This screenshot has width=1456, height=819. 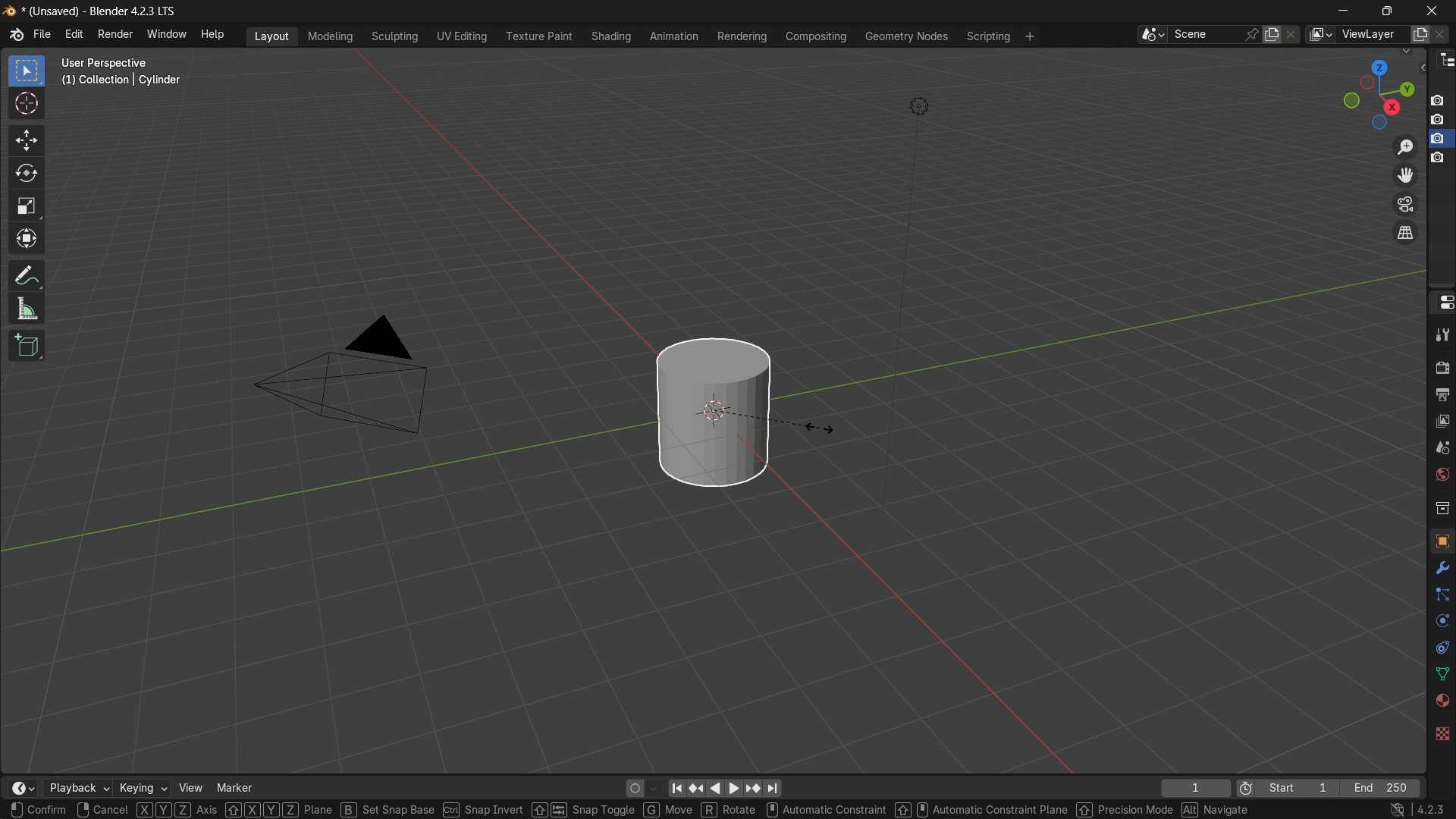 What do you see at coordinates (981, 810) in the screenshot?
I see `hold shift and use mouse scroll wheel for Automatic constraint plane` at bounding box center [981, 810].